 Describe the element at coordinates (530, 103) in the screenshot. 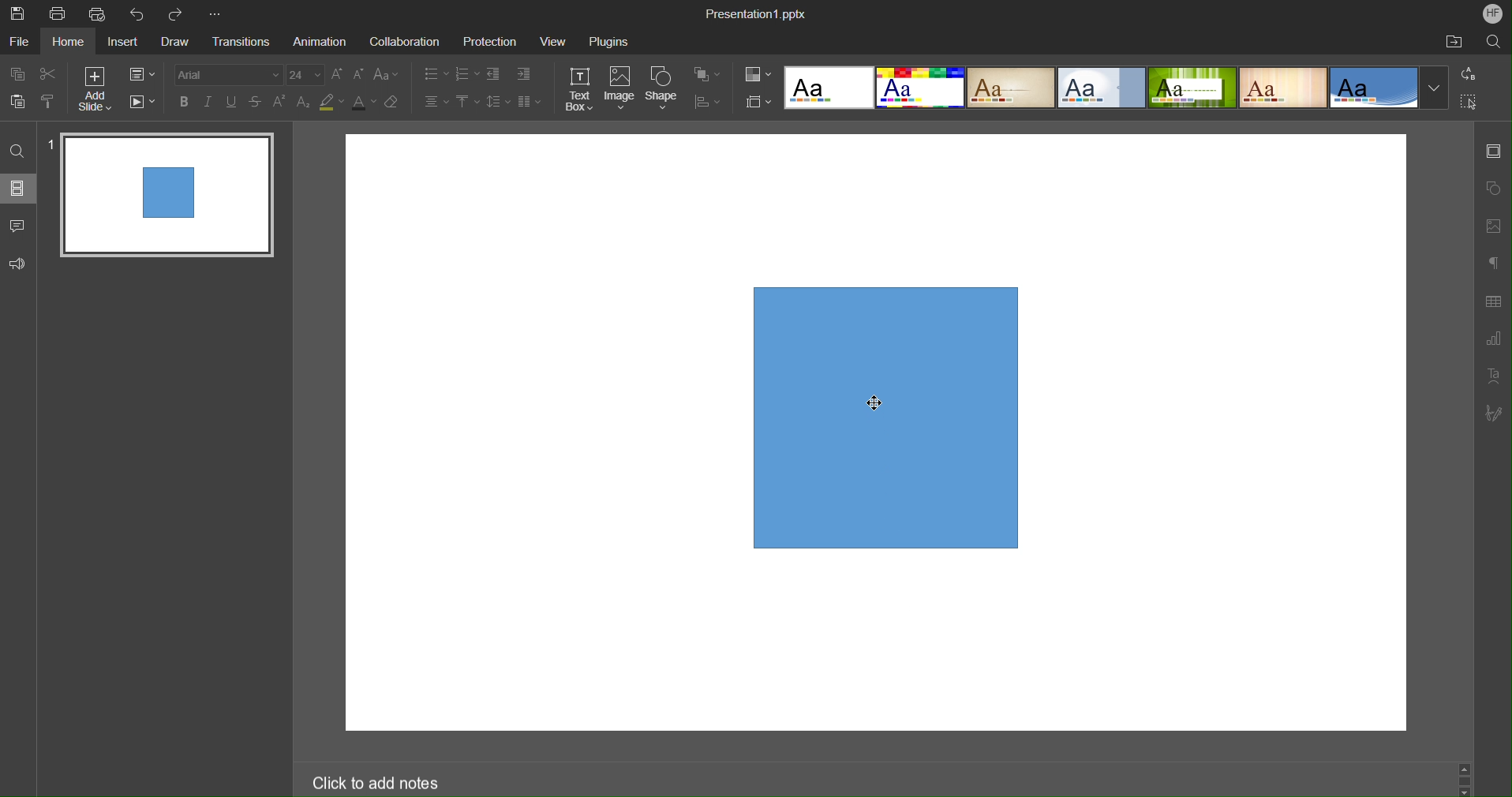

I see `Columns` at that location.